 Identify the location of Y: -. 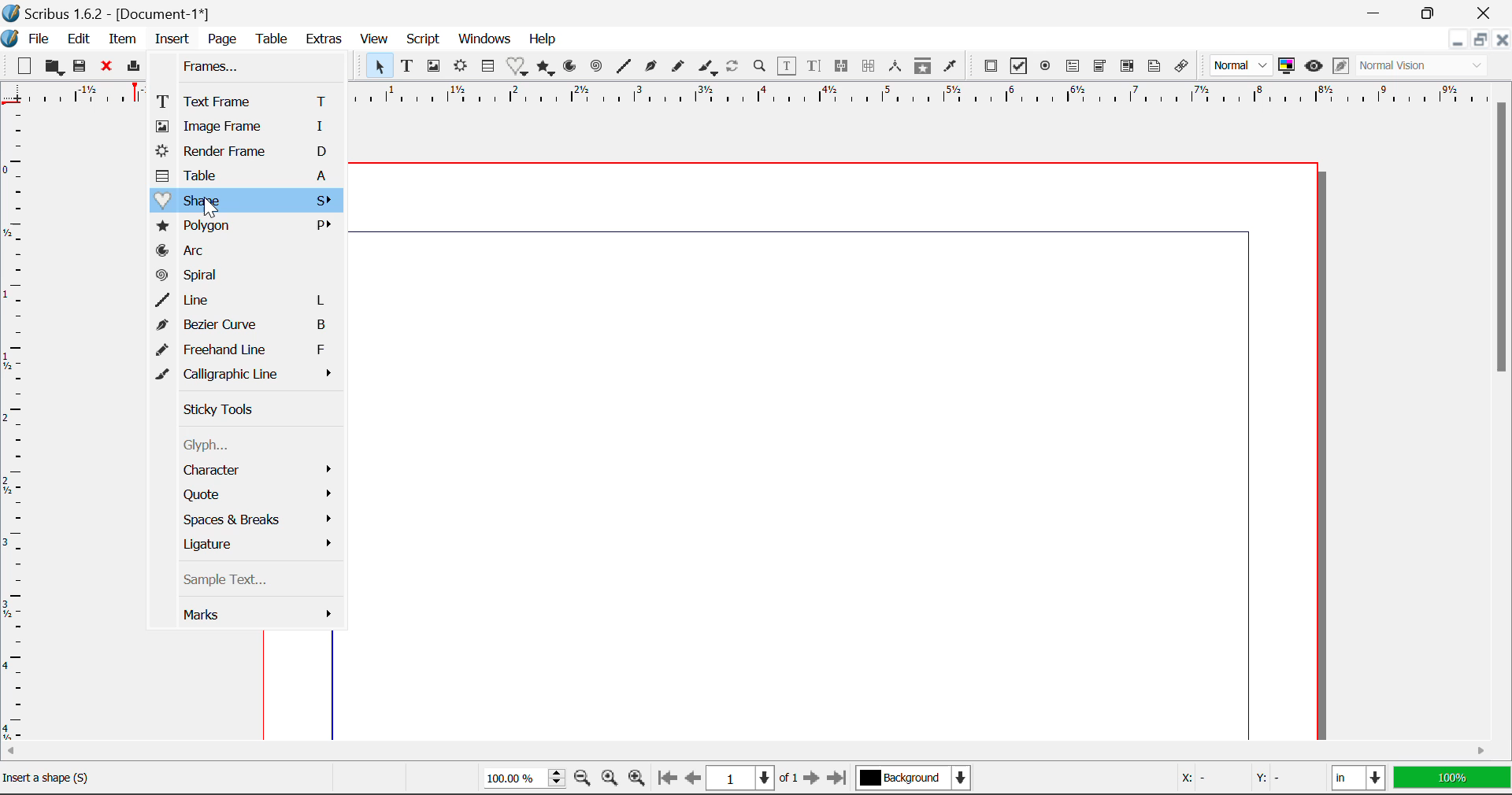
(1285, 777).